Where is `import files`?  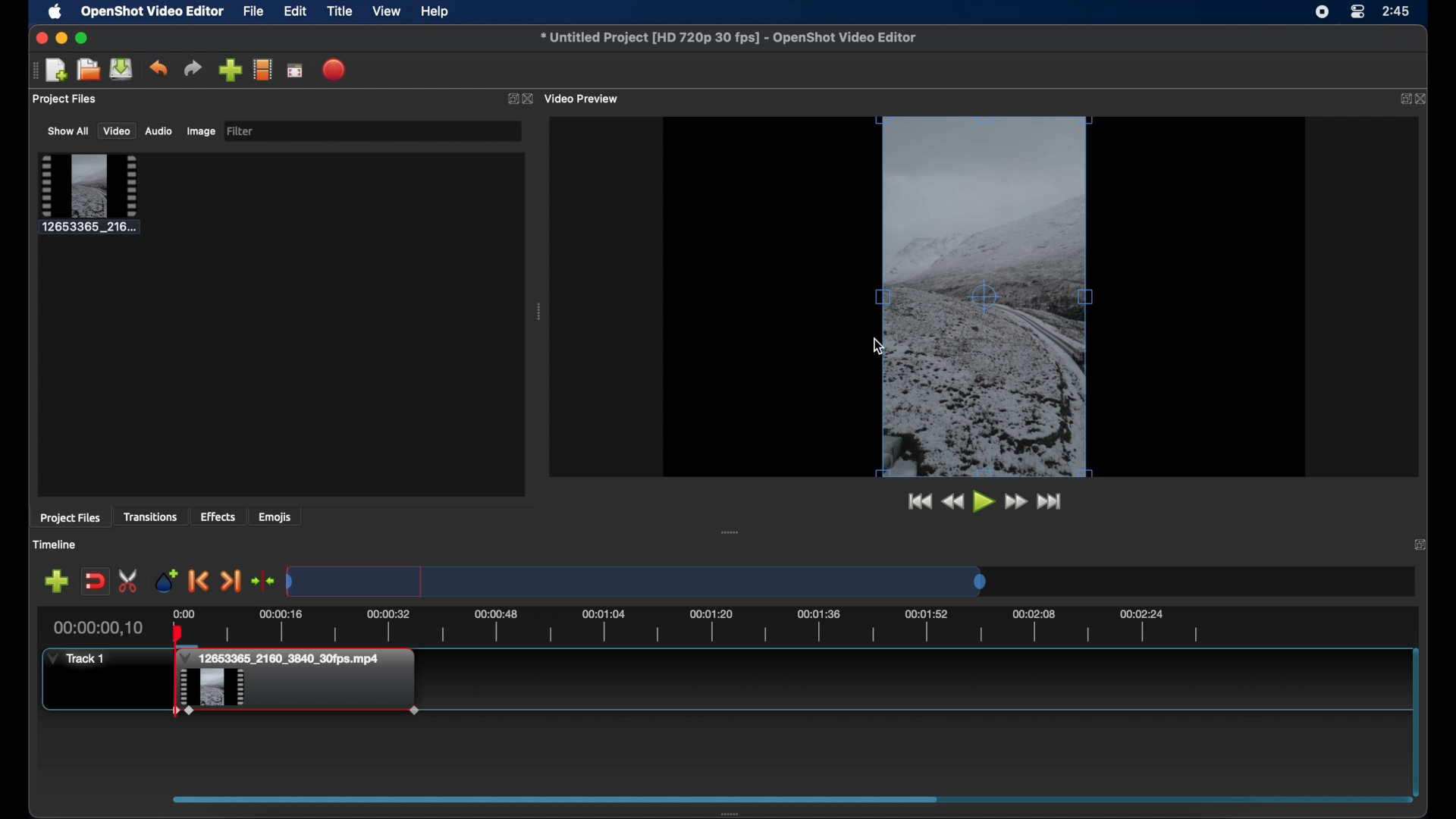
import files is located at coordinates (231, 71).